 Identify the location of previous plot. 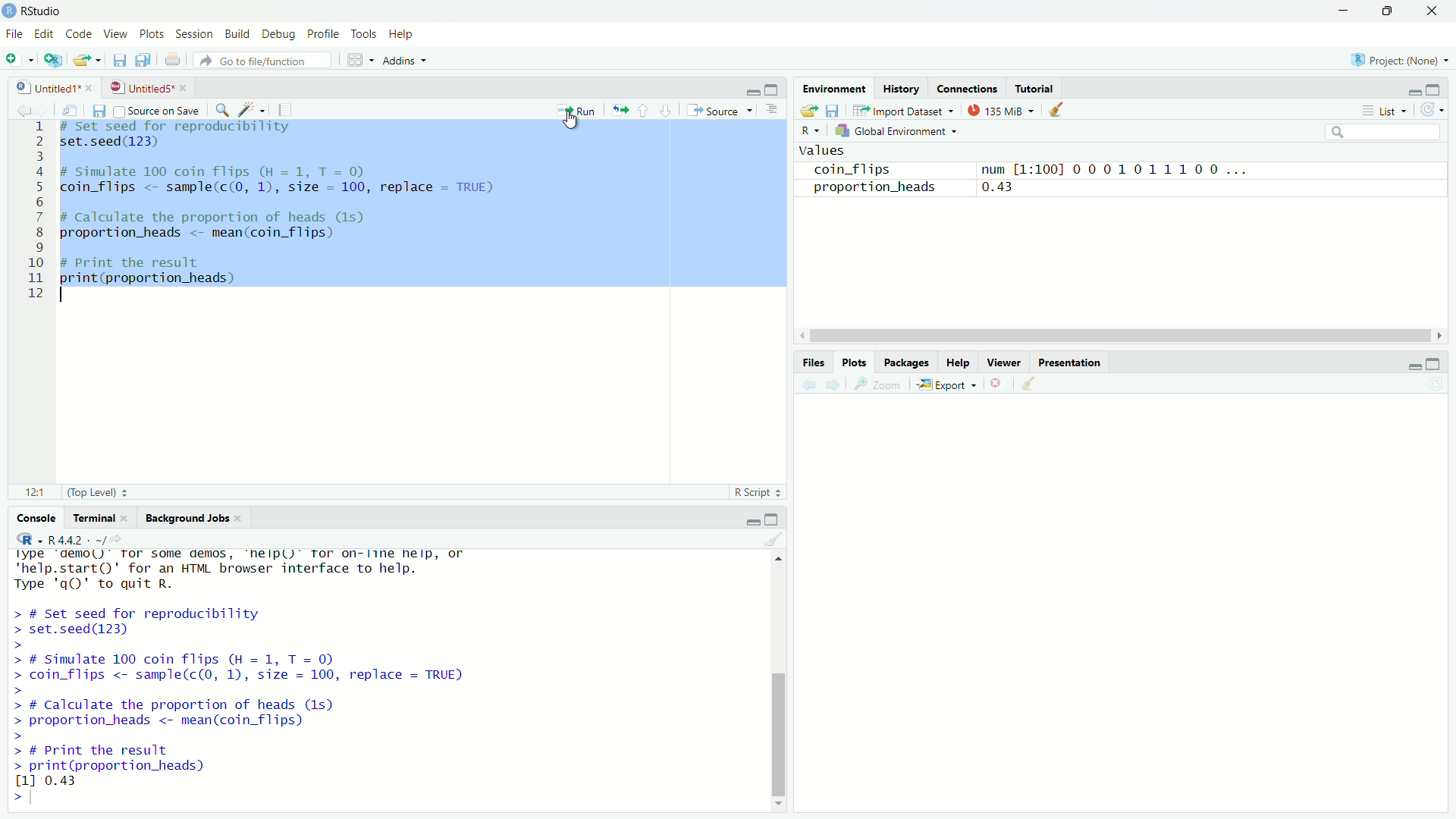
(805, 385).